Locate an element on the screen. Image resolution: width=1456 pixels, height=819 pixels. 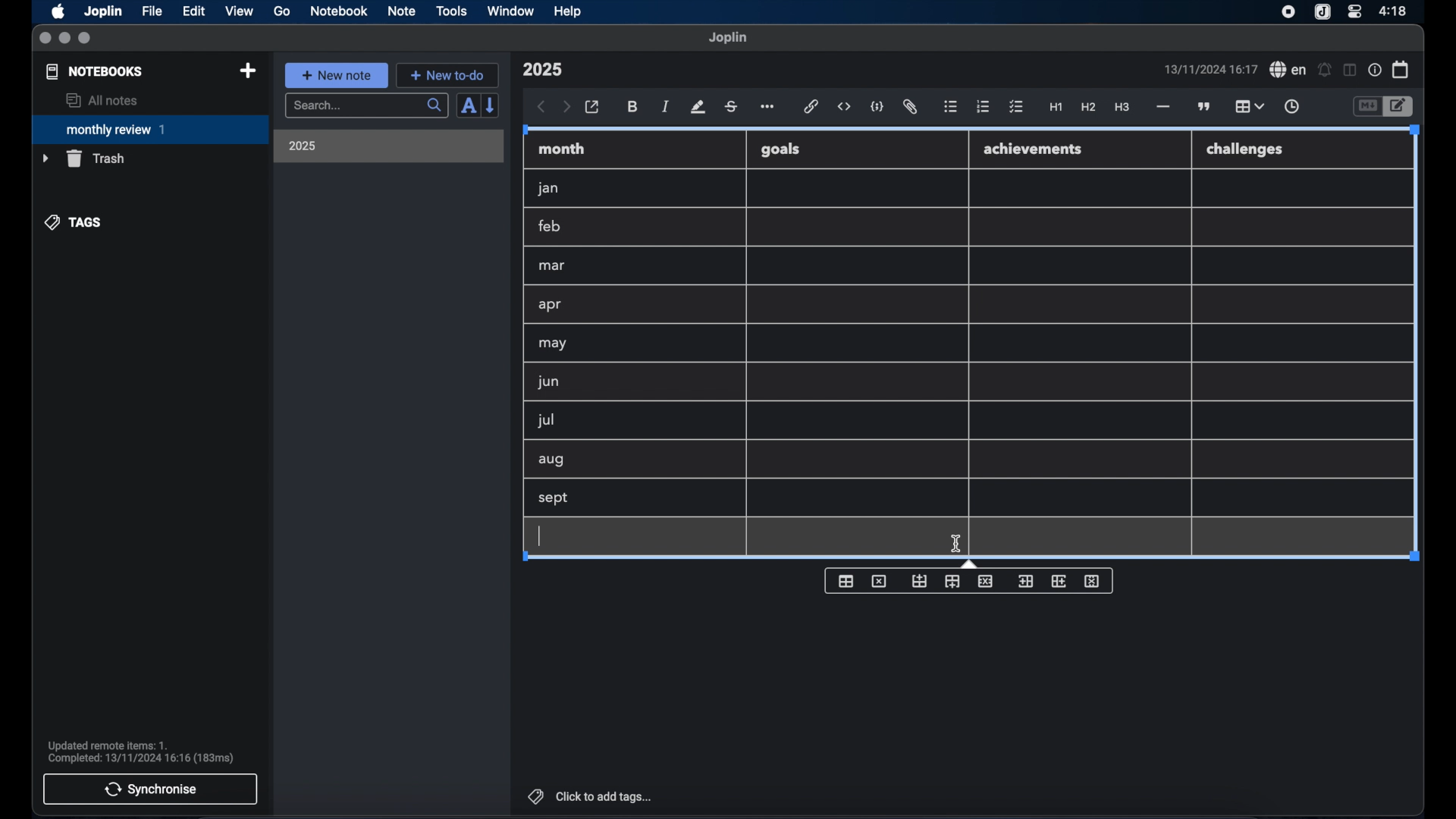
month is located at coordinates (562, 149).